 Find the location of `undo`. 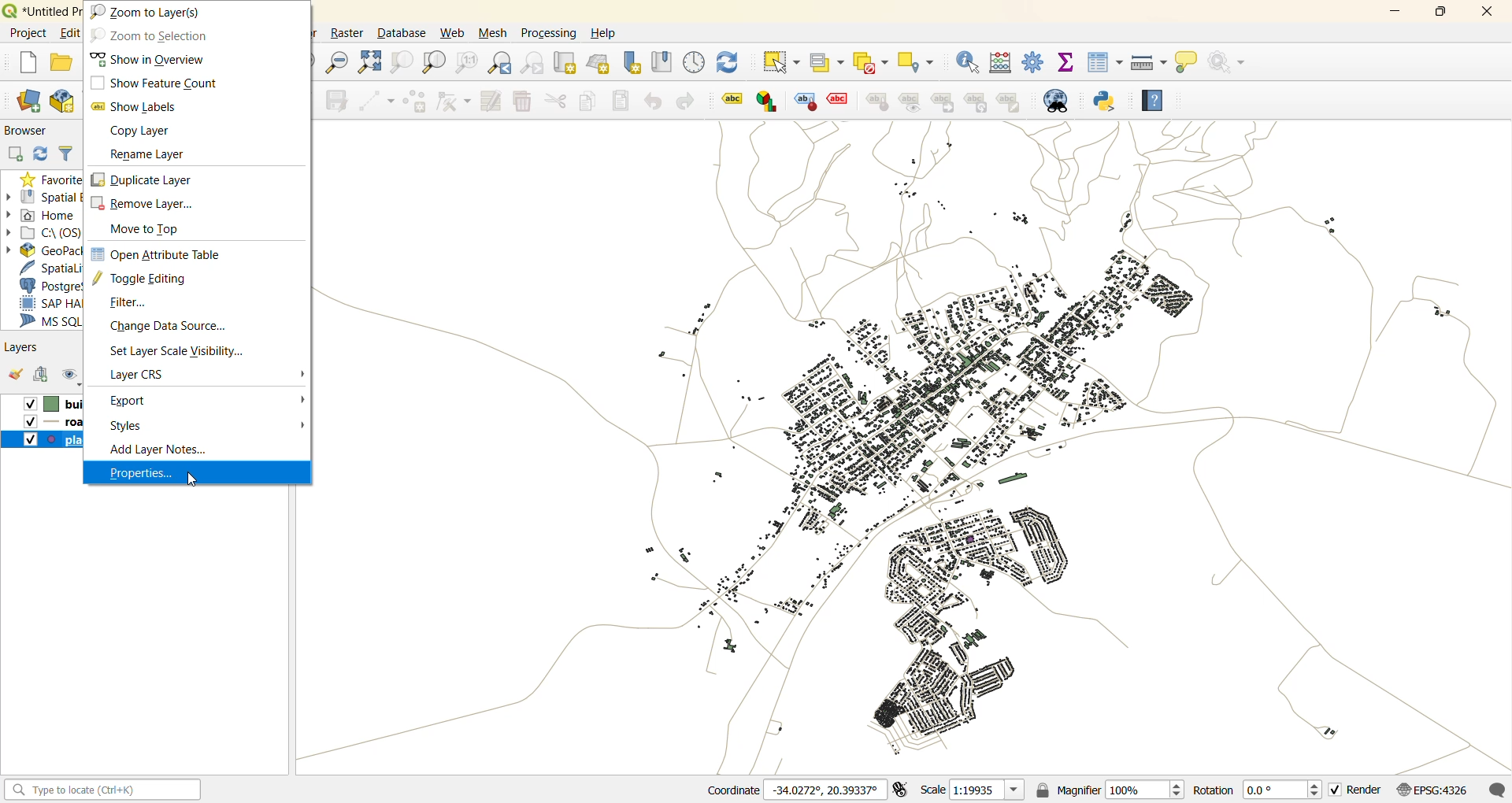

undo is located at coordinates (654, 102).